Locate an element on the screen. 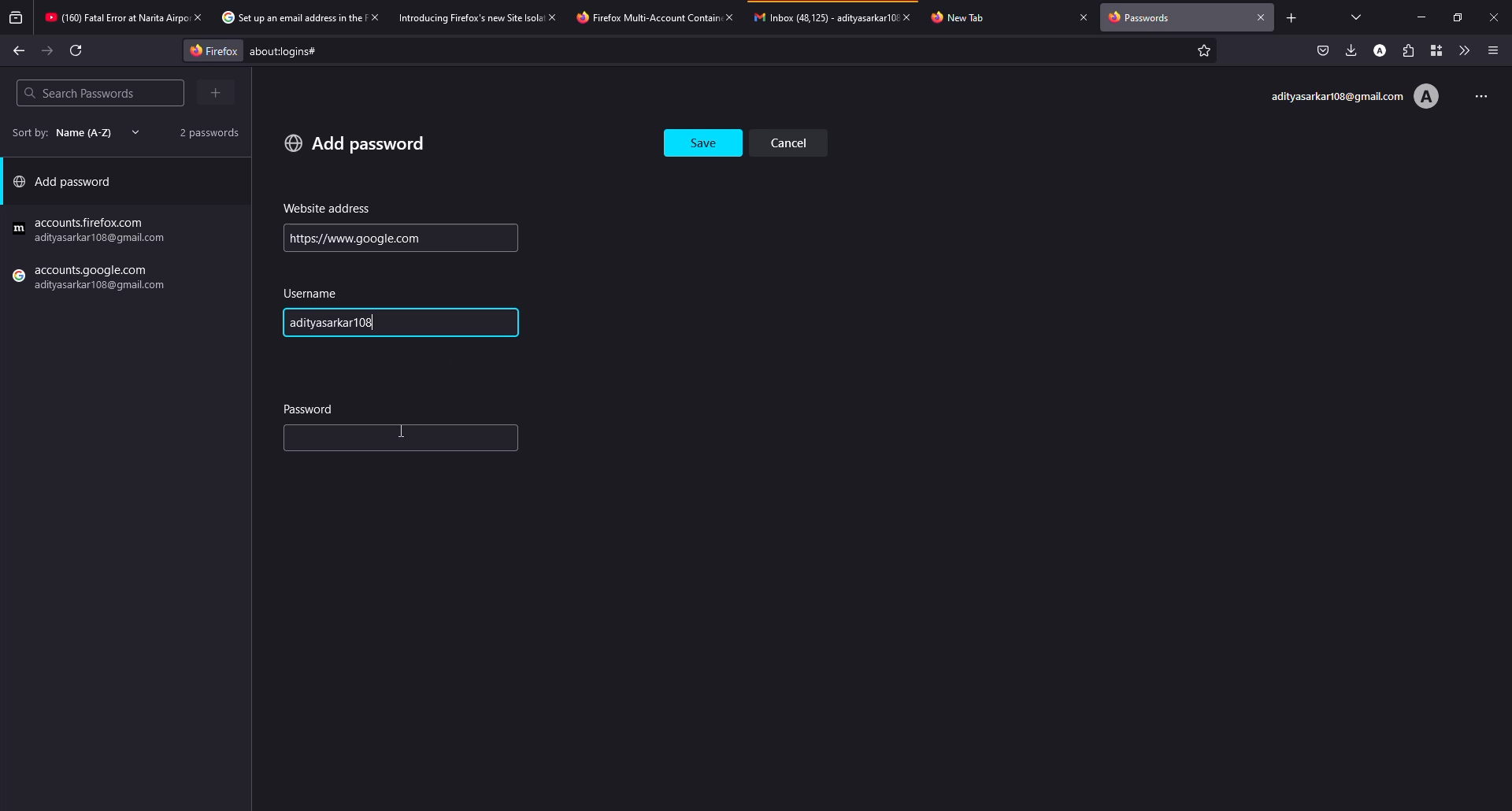  firefox is located at coordinates (209, 50).